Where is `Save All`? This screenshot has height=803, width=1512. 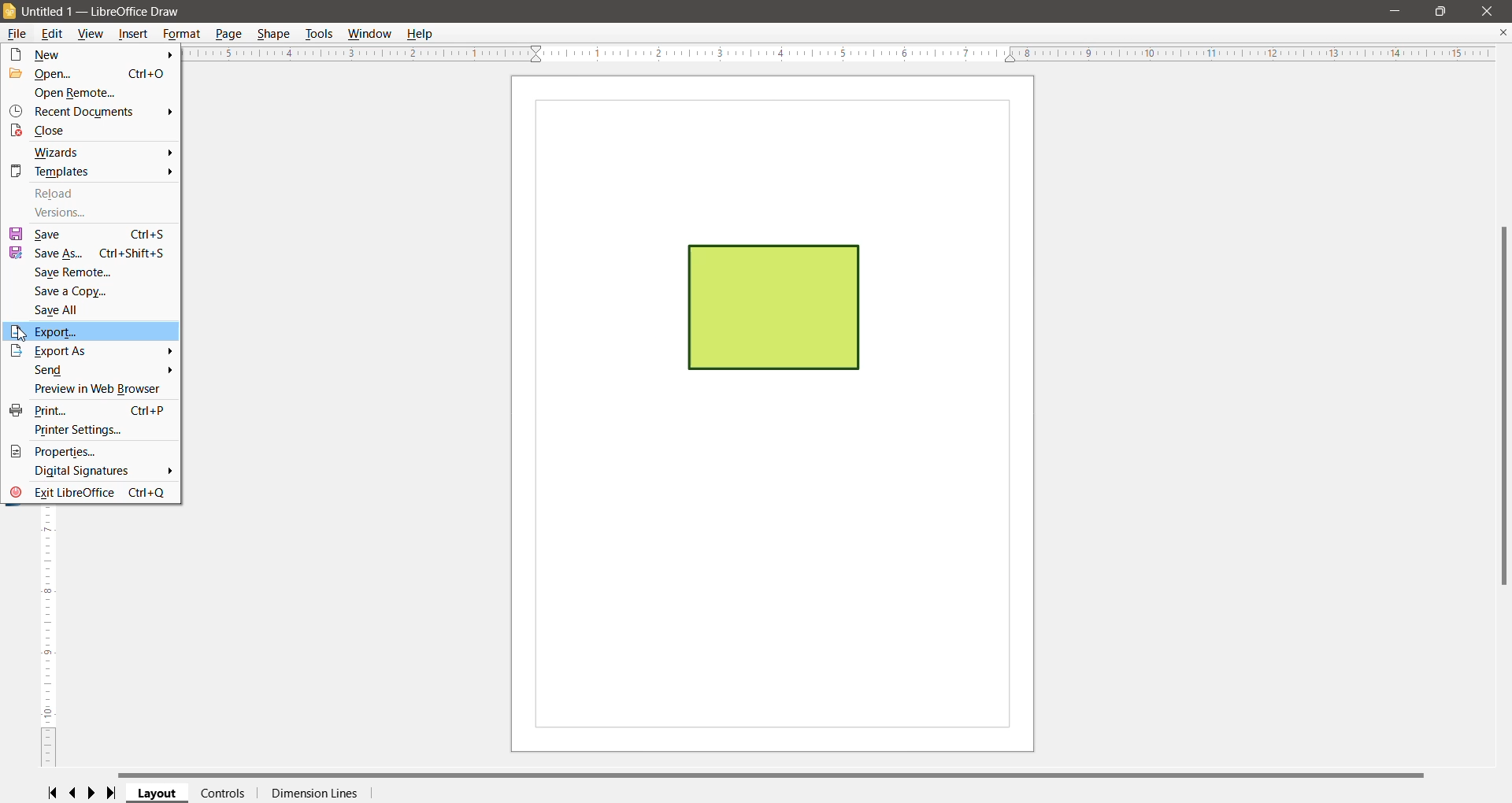 Save All is located at coordinates (61, 310).